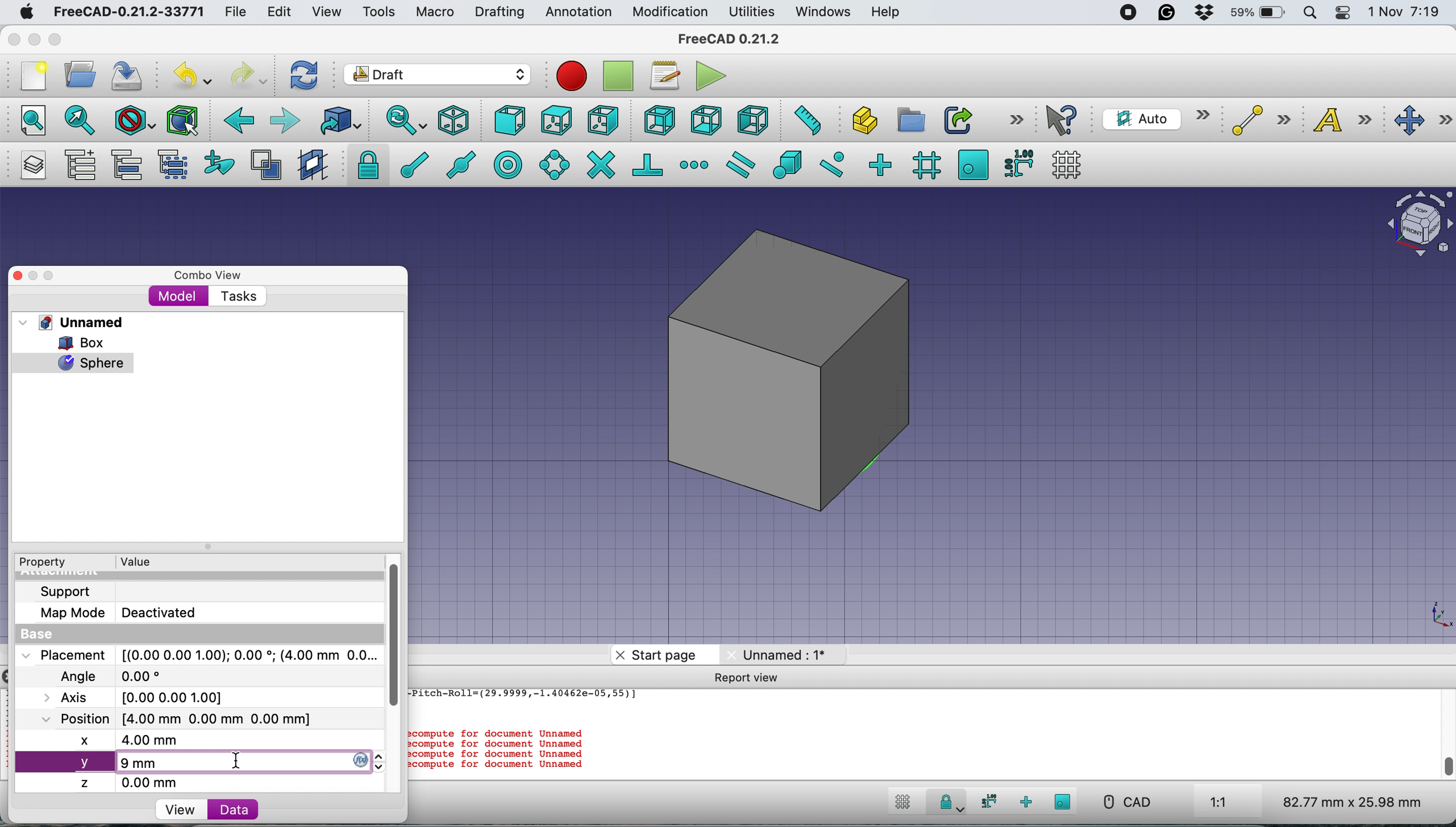 The height and width of the screenshot is (827, 1456). Describe the element at coordinates (136, 783) in the screenshot. I see `z axis` at that location.